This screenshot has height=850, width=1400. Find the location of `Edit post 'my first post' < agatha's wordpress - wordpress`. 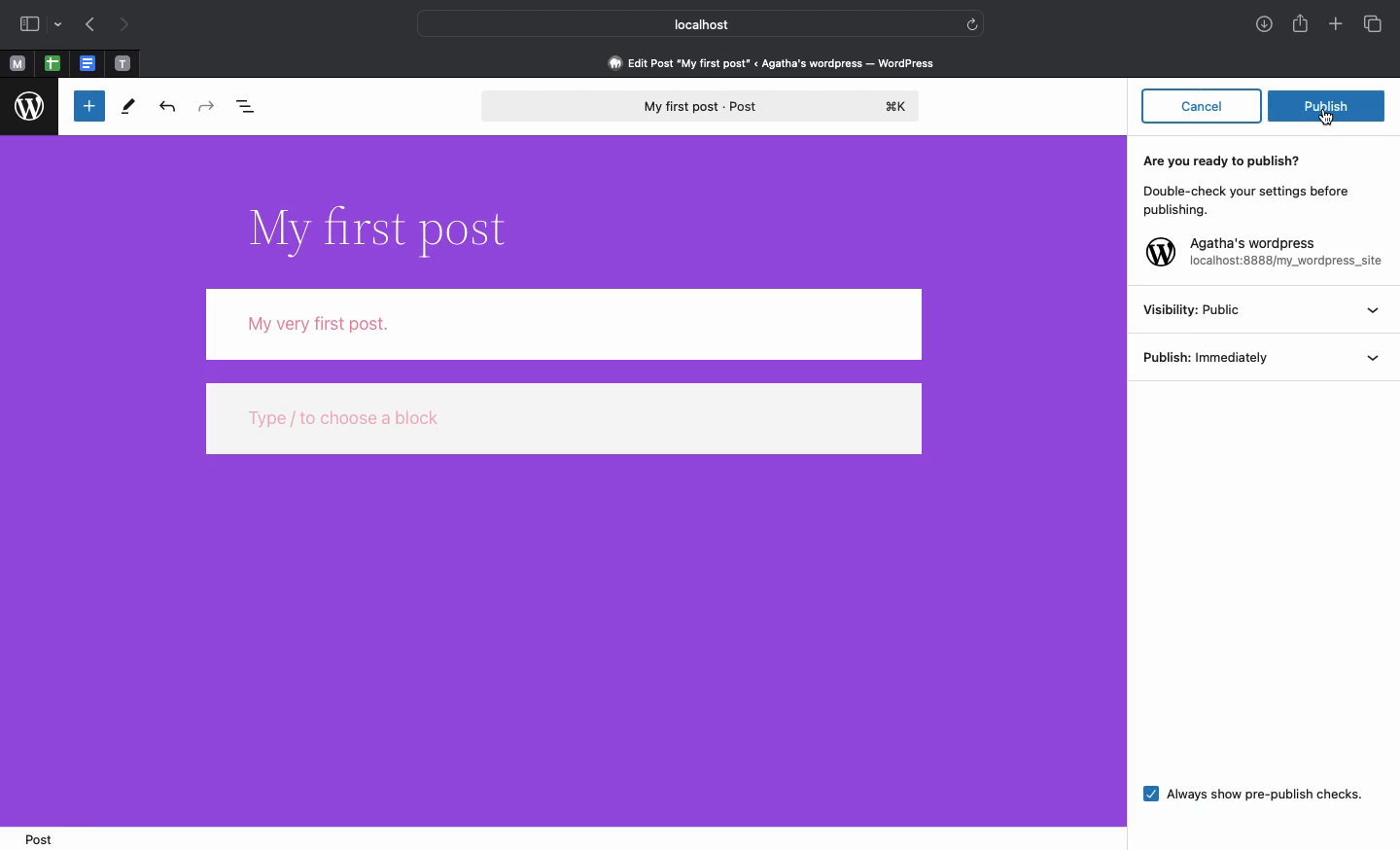

Edit post 'my first post' < agatha's wordpress - wordpress is located at coordinates (772, 62).